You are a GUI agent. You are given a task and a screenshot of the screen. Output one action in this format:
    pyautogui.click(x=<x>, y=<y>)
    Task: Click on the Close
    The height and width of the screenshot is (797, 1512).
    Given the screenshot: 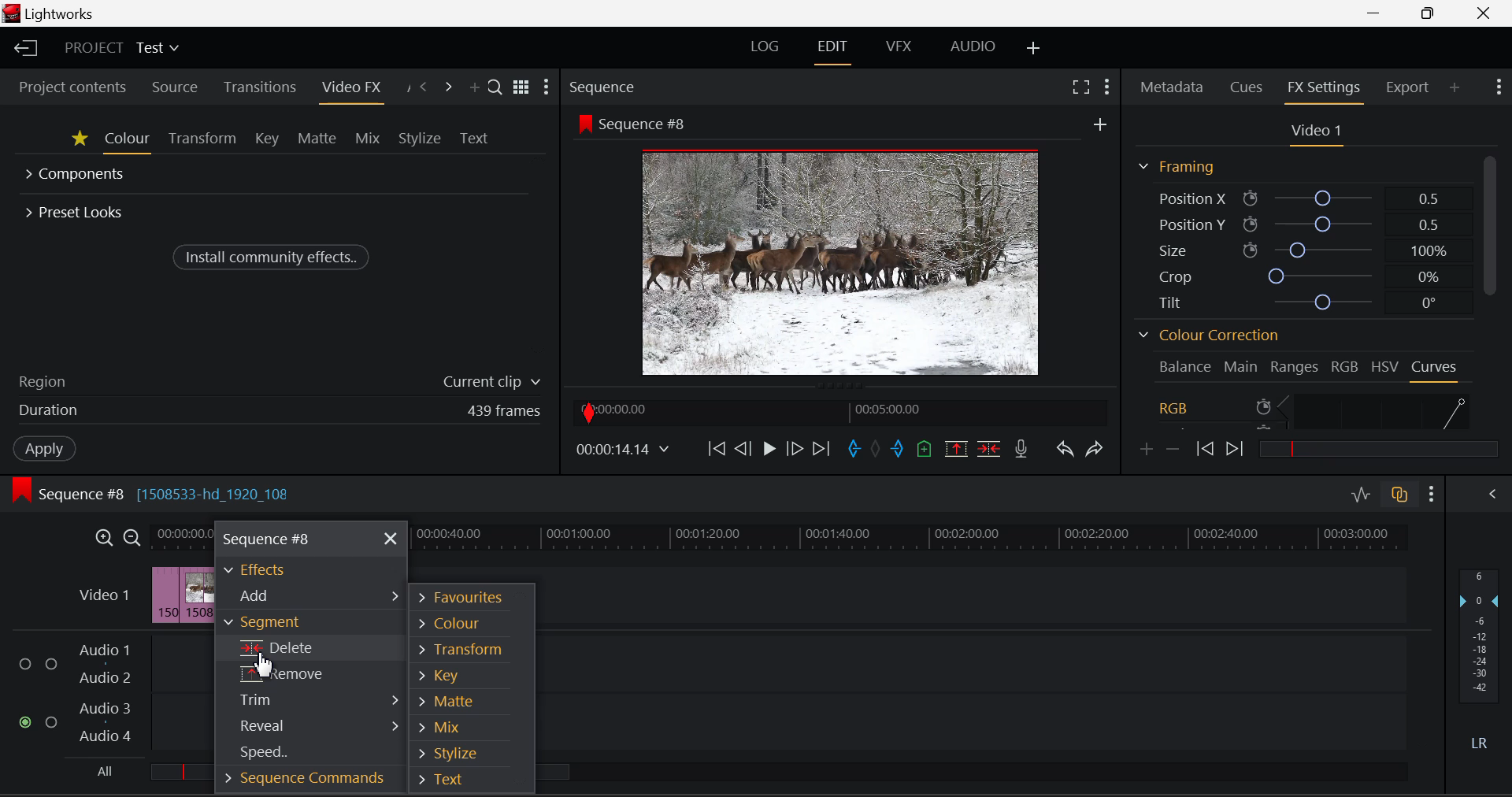 What is the action you would take?
    pyautogui.click(x=388, y=539)
    